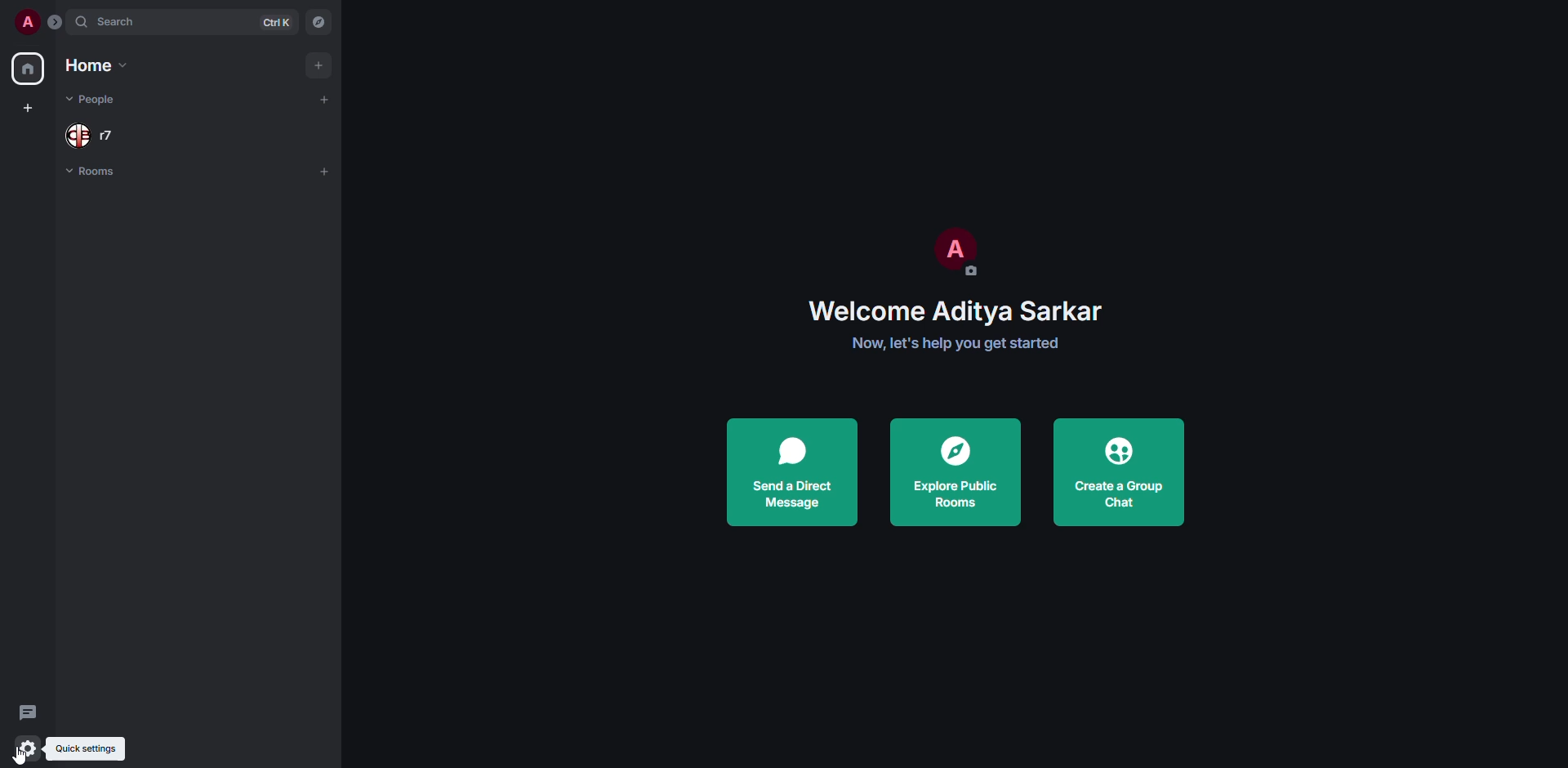  What do you see at coordinates (26, 26) in the screenshot?
I see `profile` at bounding box center [26, 26].